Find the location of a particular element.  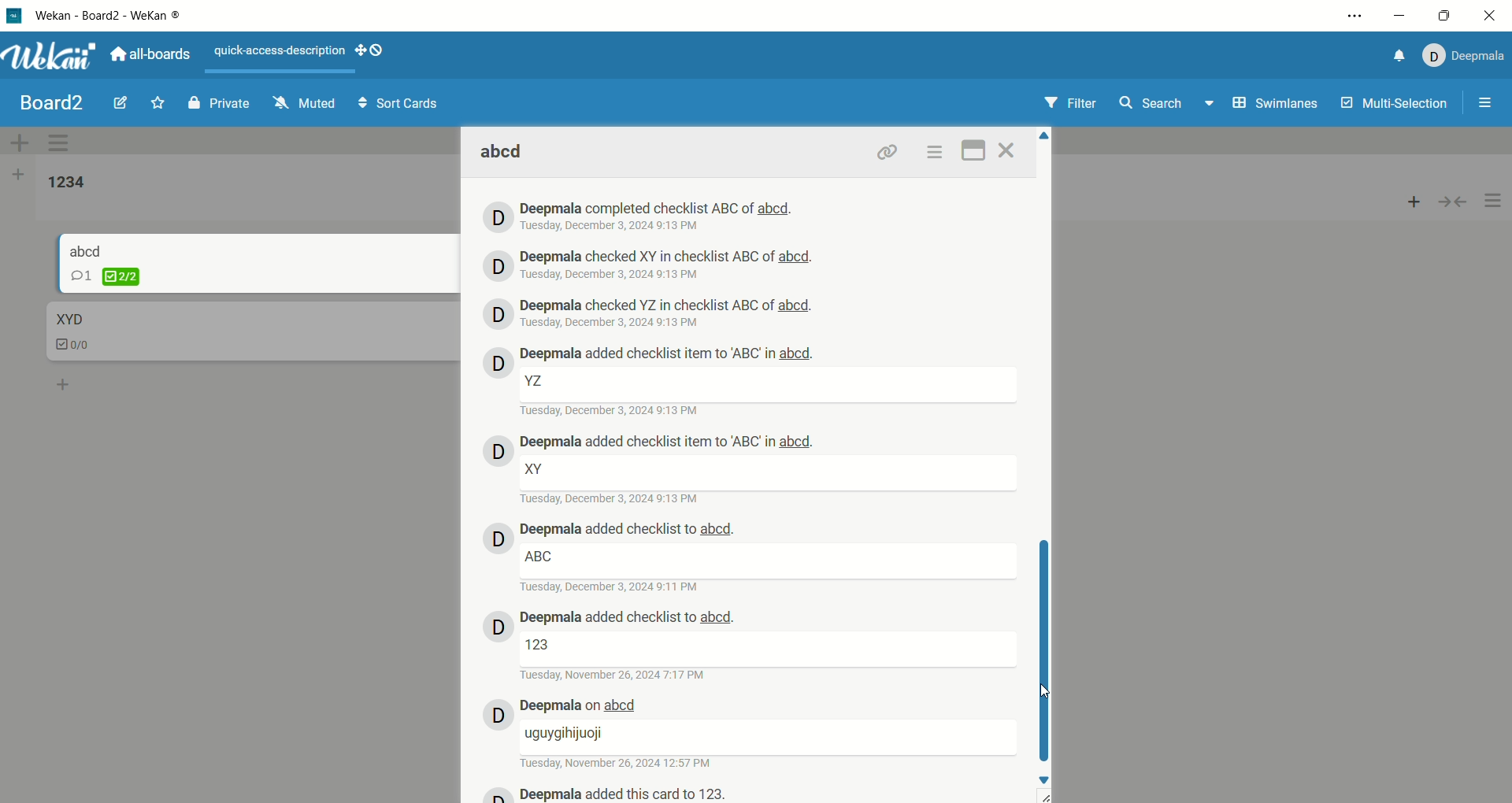

search is located at coordinates (1168, 105).